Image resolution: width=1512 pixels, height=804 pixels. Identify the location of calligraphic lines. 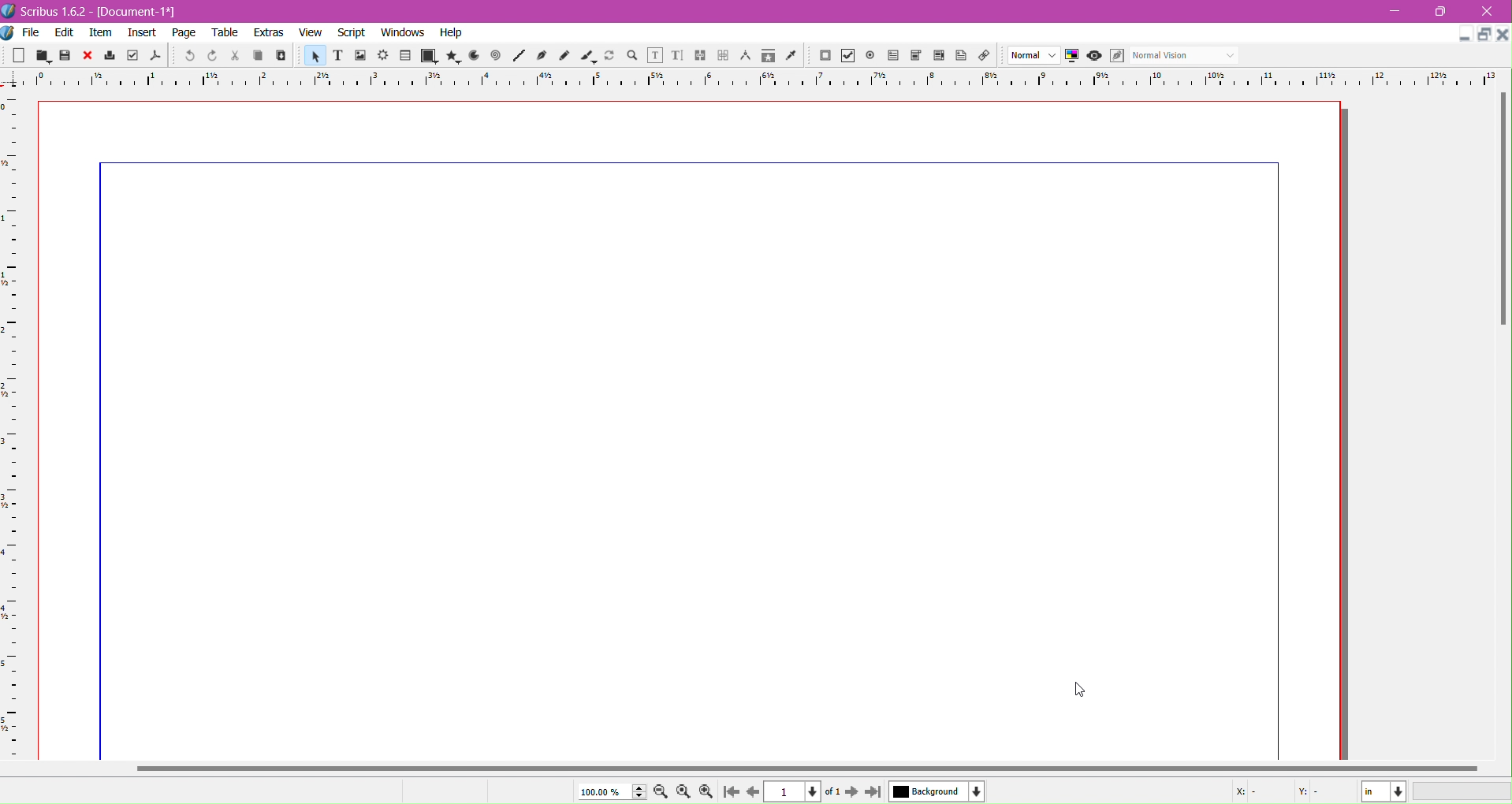
(588, 57).